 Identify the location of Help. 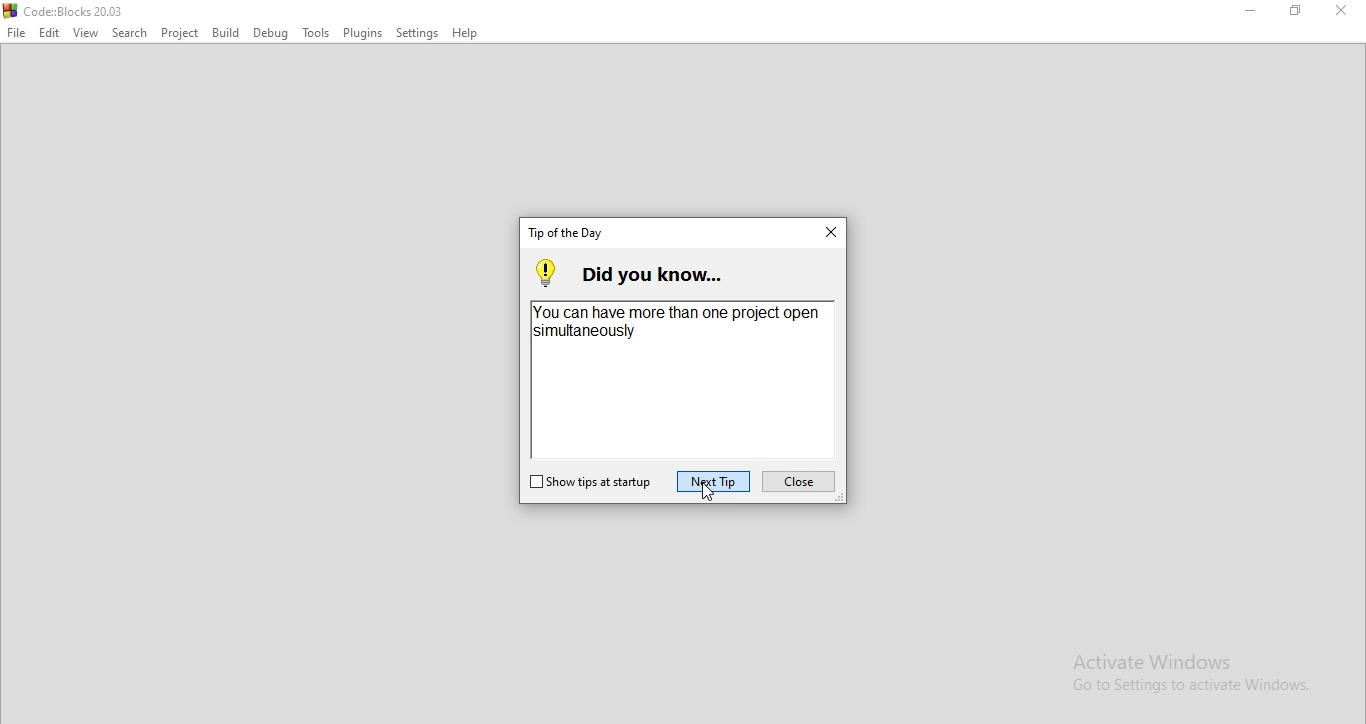
(463, 34).